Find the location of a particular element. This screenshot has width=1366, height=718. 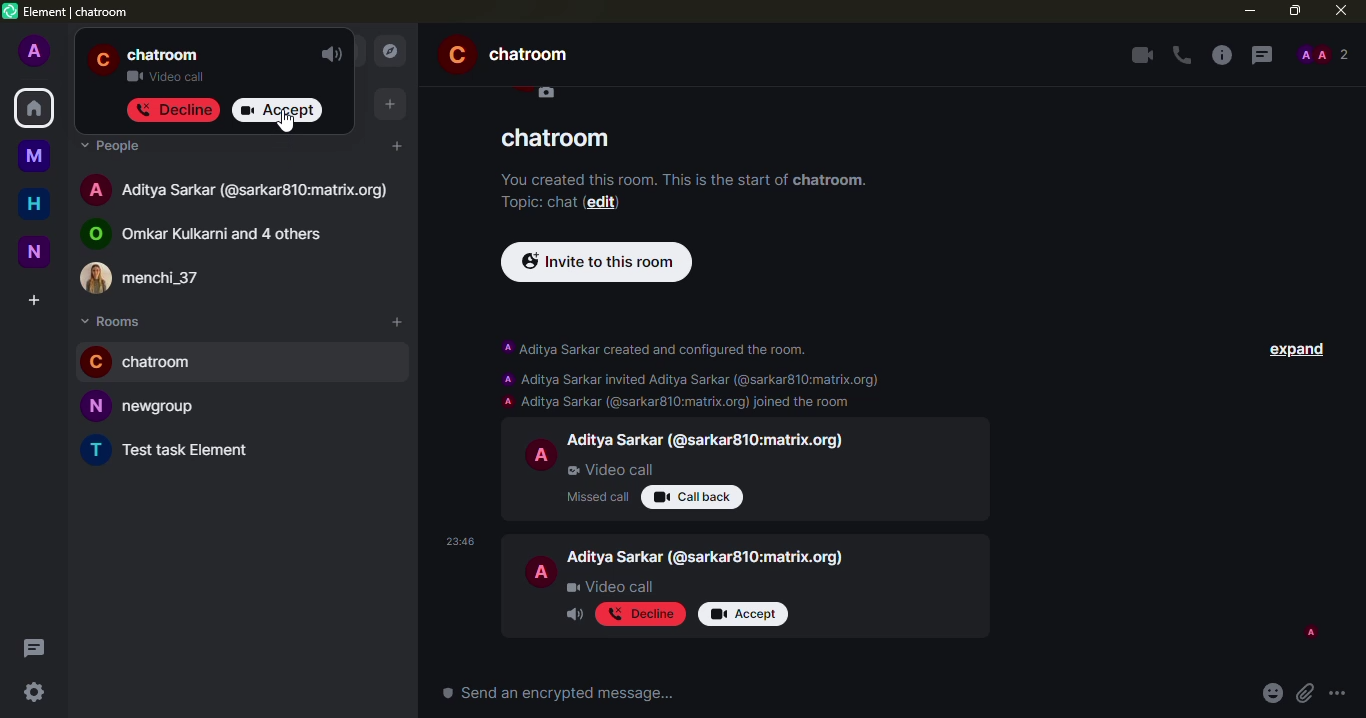

add is located at coordinates (387, 104).